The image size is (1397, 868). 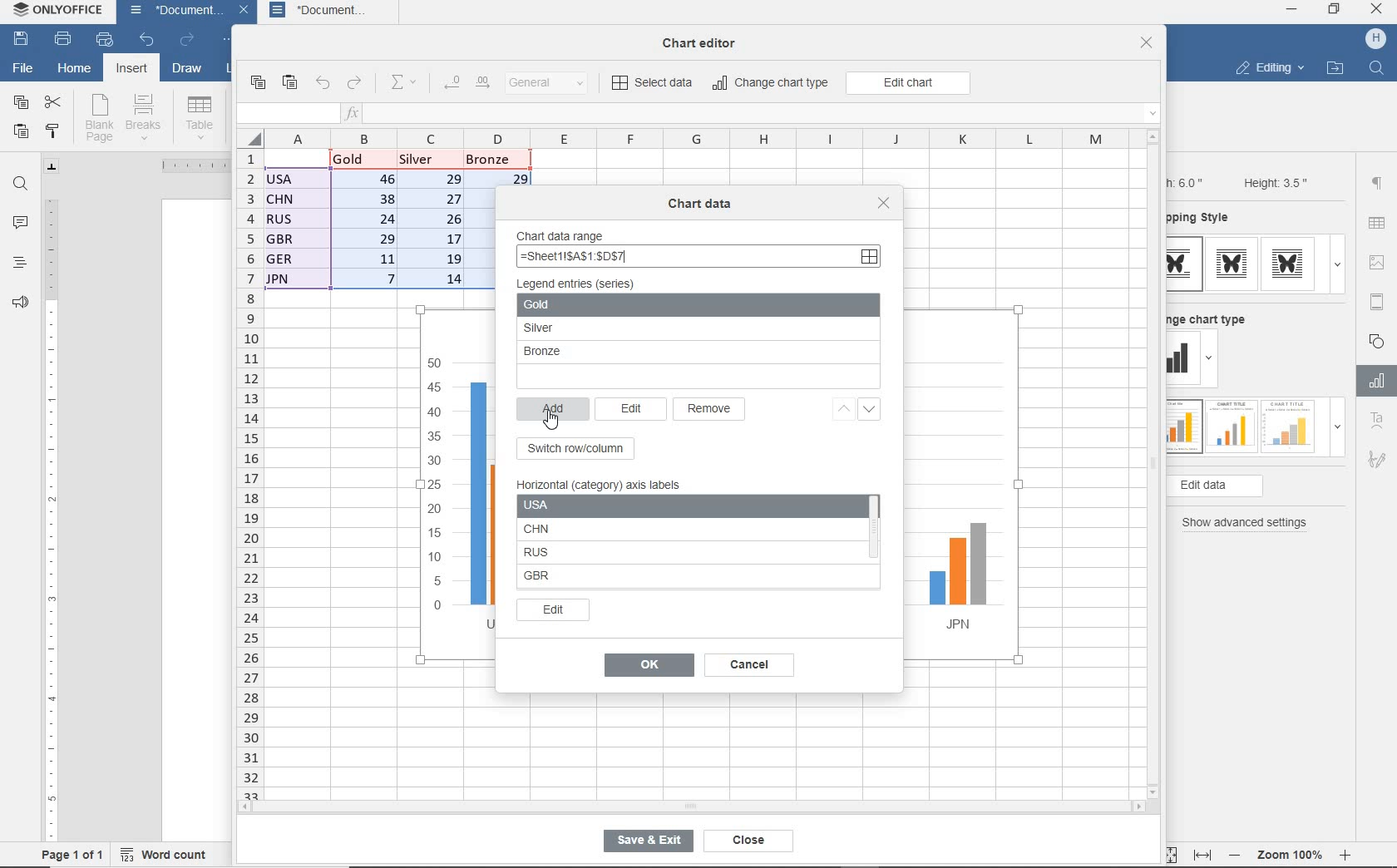 What do you see at coordinates (553, 411) in the screenshot?
I see `add` at bounding box center [553, 411].